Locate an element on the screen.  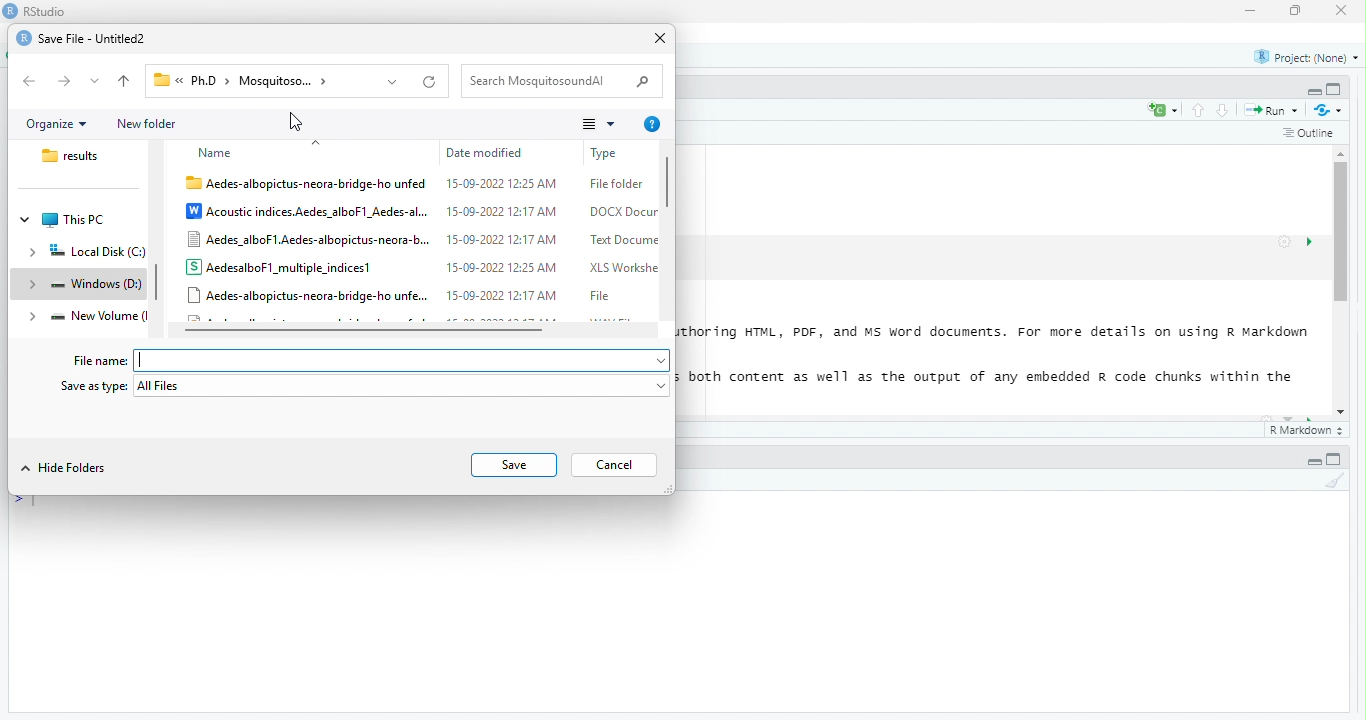
Search is located at coordinates (642, 82).